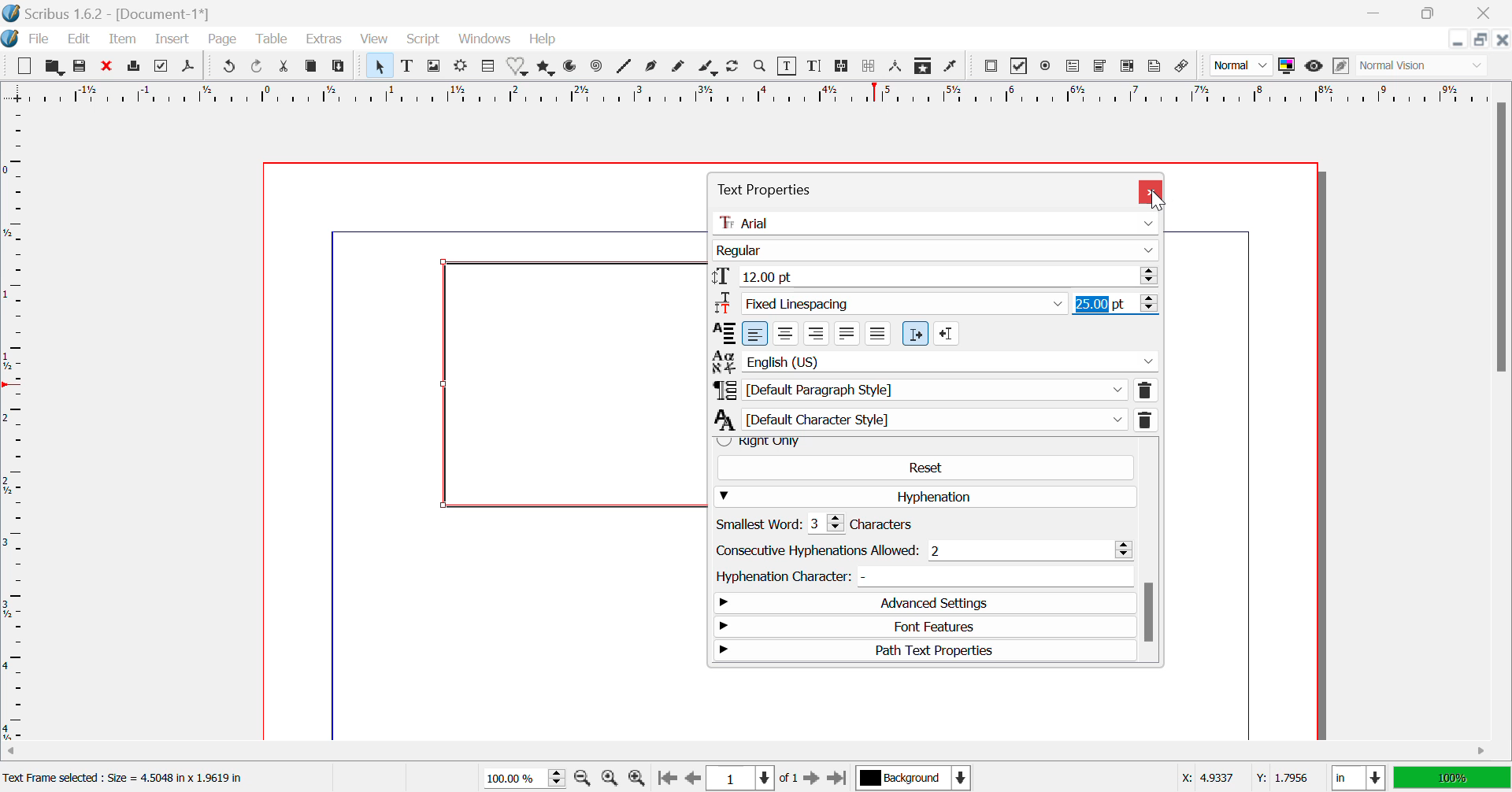 This screenshot has width=1512, height=792. What do you see at coordinates (858, 187) in the screenshot?
I see `Text Properties` at bounding box center [858, 187].